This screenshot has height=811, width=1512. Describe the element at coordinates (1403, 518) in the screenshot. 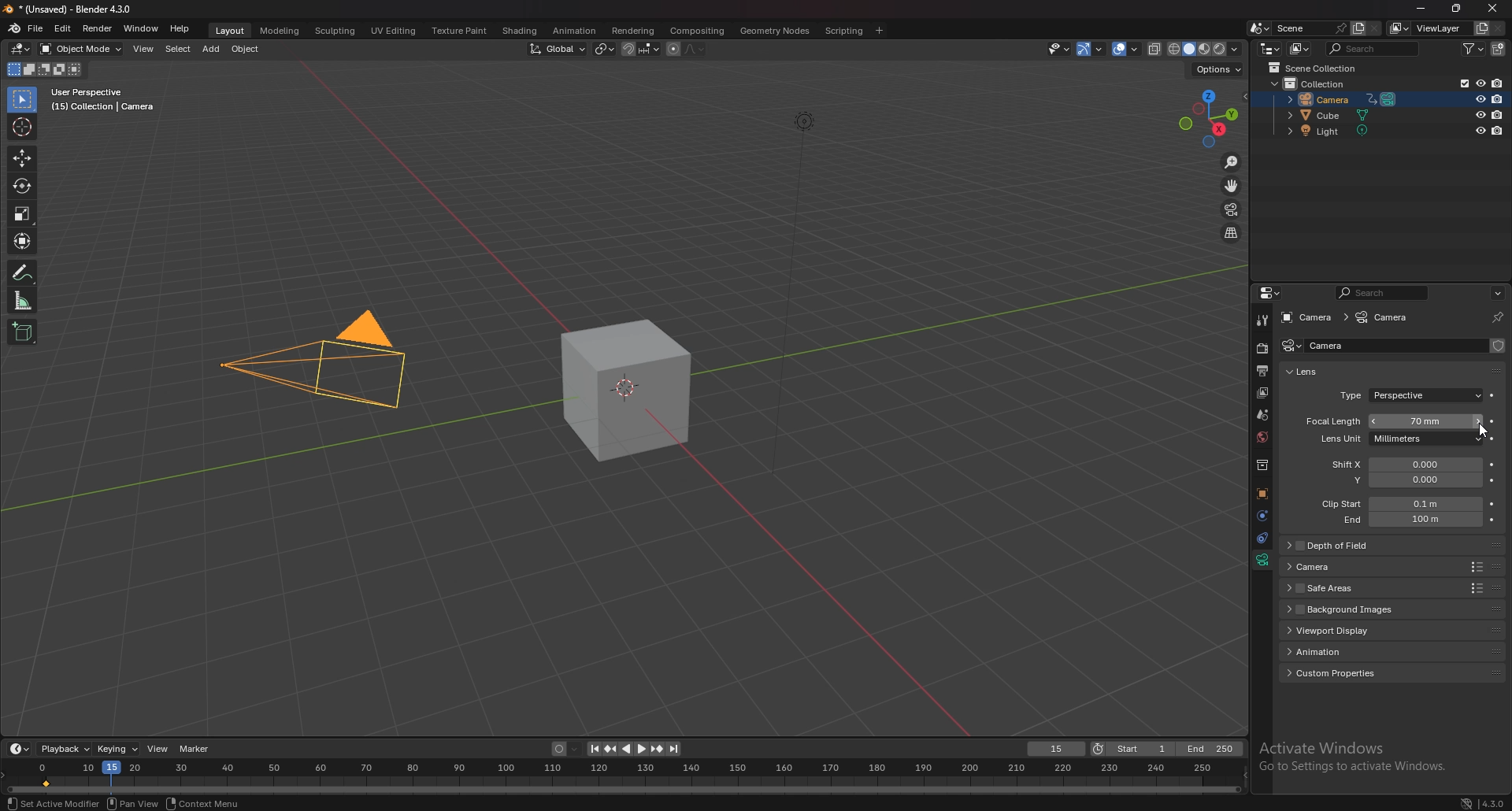

I see `clip end` at that location.